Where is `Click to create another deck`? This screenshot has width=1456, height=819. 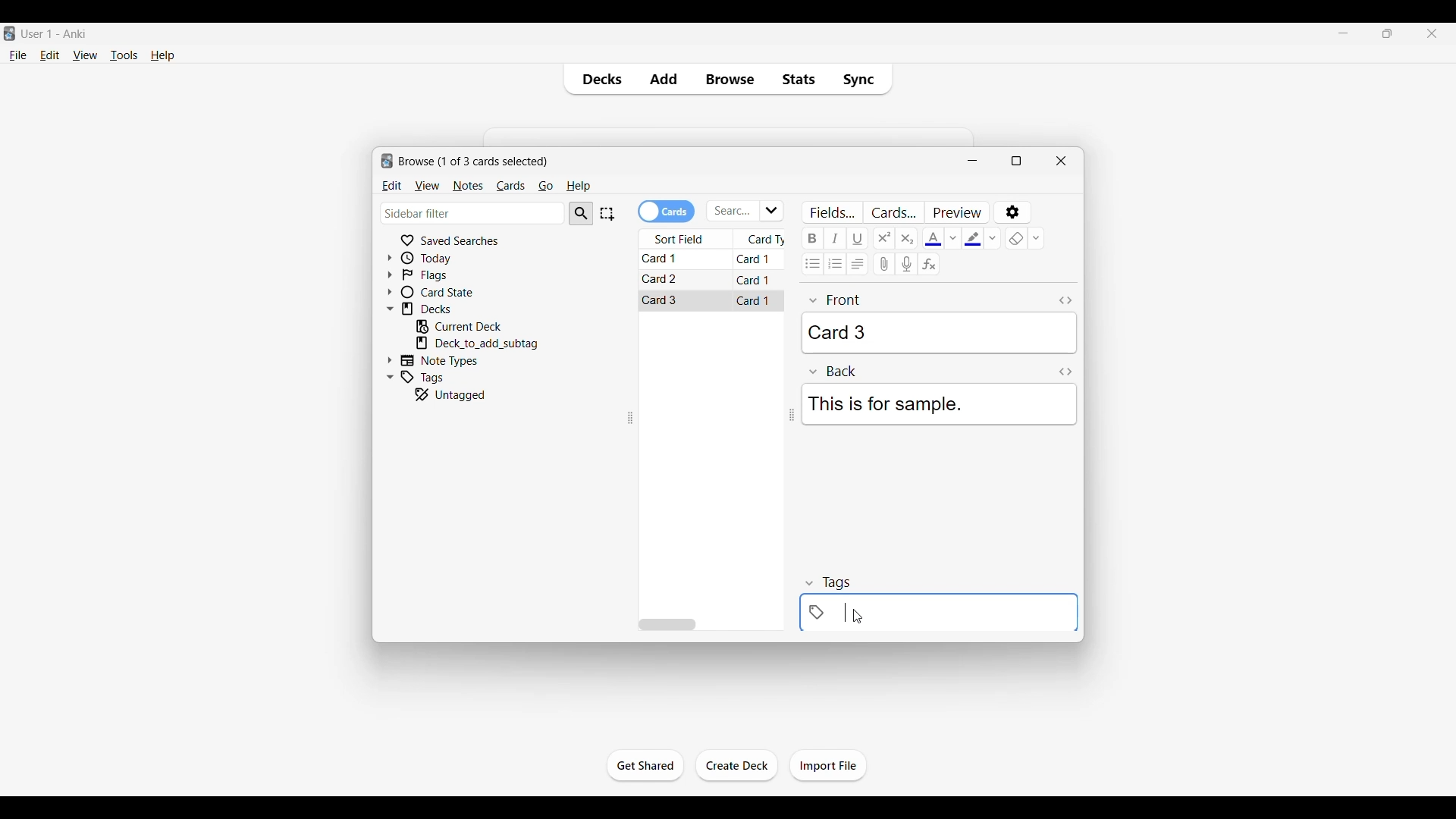 Click to create another deck is located at coordinates (737, 765).